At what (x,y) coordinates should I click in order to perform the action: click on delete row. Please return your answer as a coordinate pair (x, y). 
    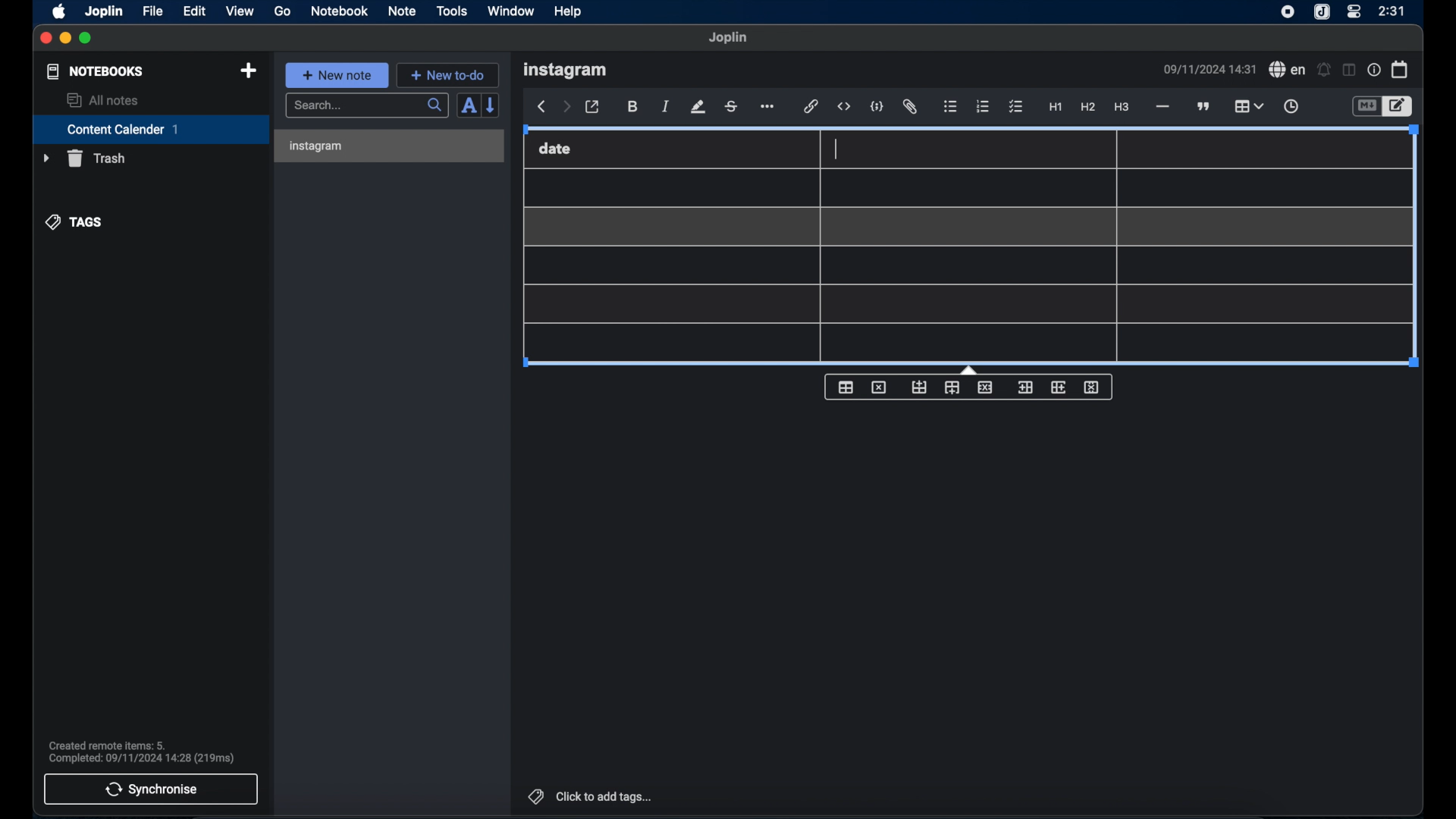
    Looking at the image, I should click on (984, 387).